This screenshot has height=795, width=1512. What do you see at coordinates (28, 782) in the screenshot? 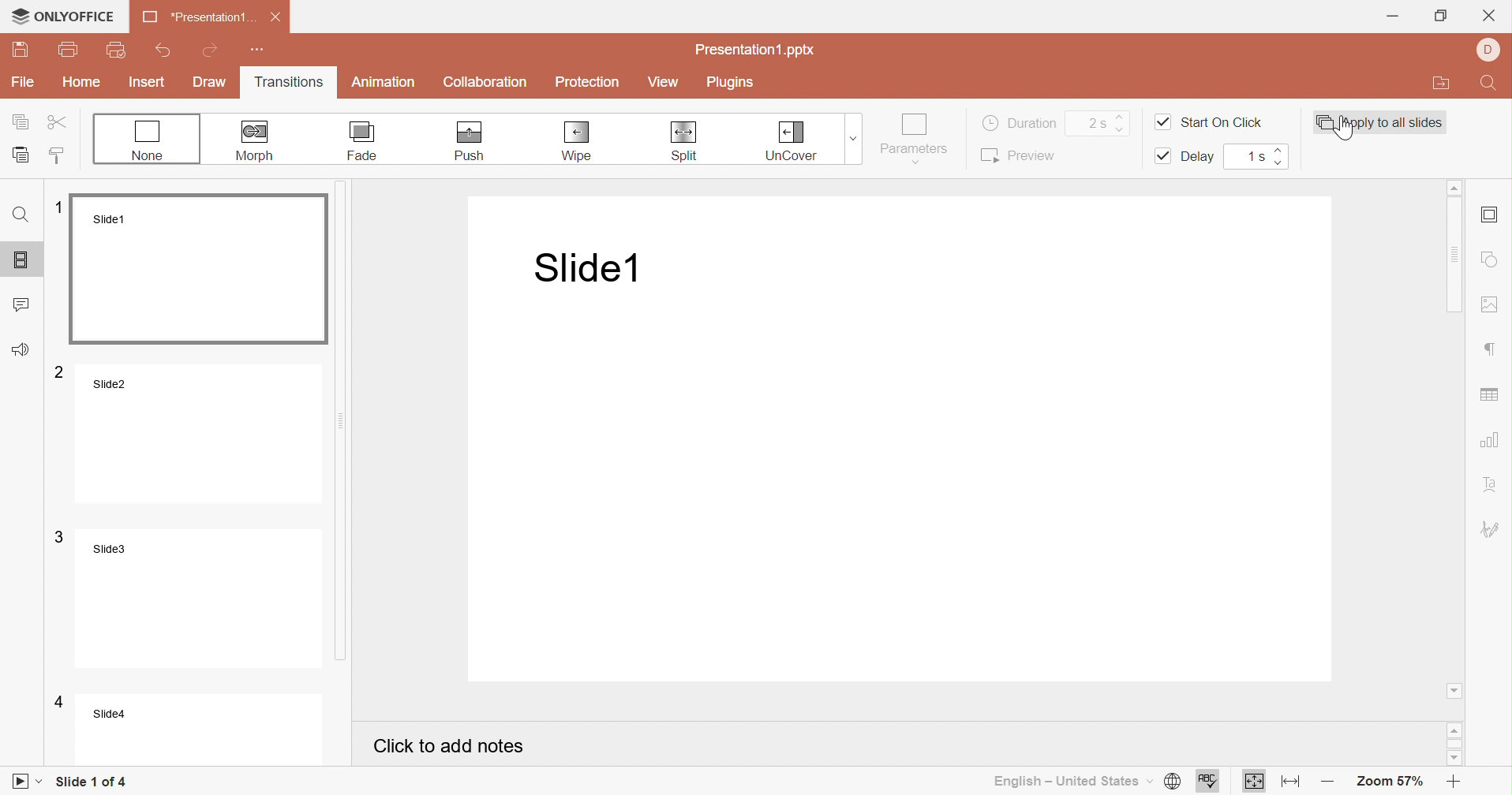
I see `Start slideshow` at bounding box center [28, 782].